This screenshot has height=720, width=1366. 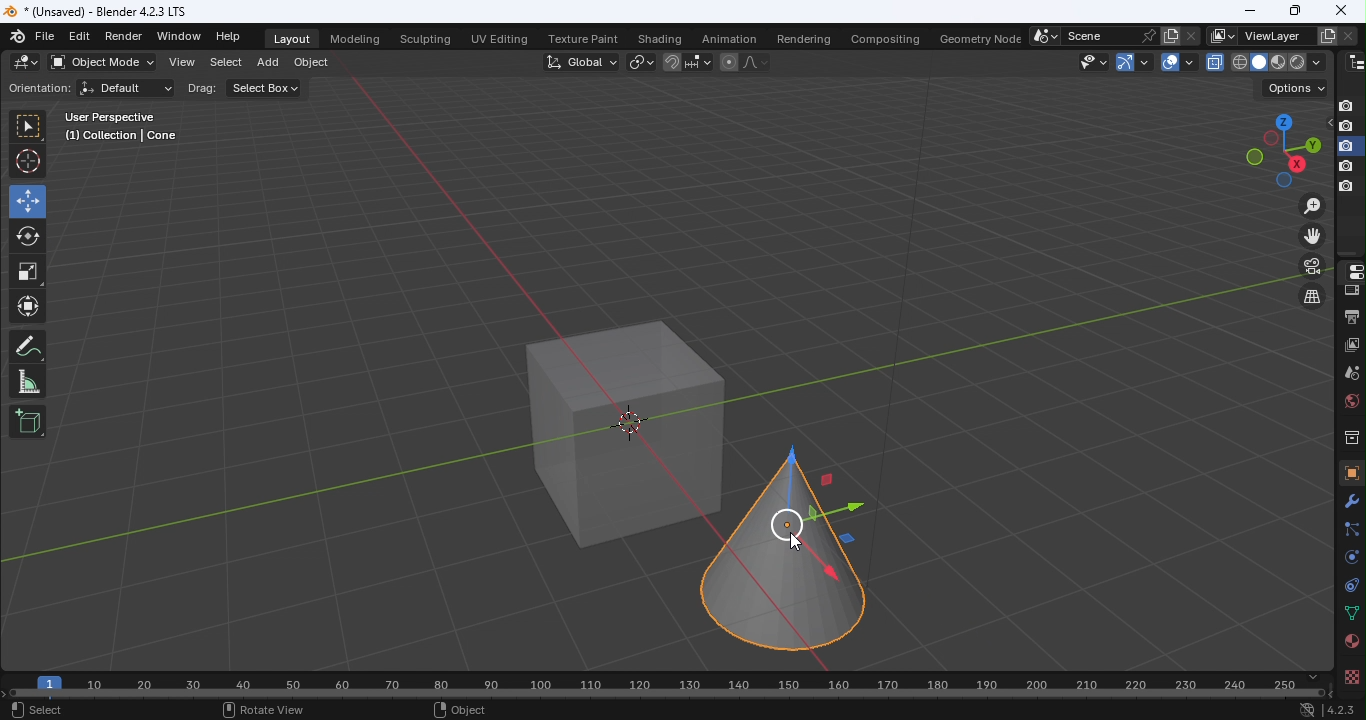 What do you see at coordinates (728, 64) in the screenshot?
I see `Proportional editing objects` at bounding box center [728, 64].